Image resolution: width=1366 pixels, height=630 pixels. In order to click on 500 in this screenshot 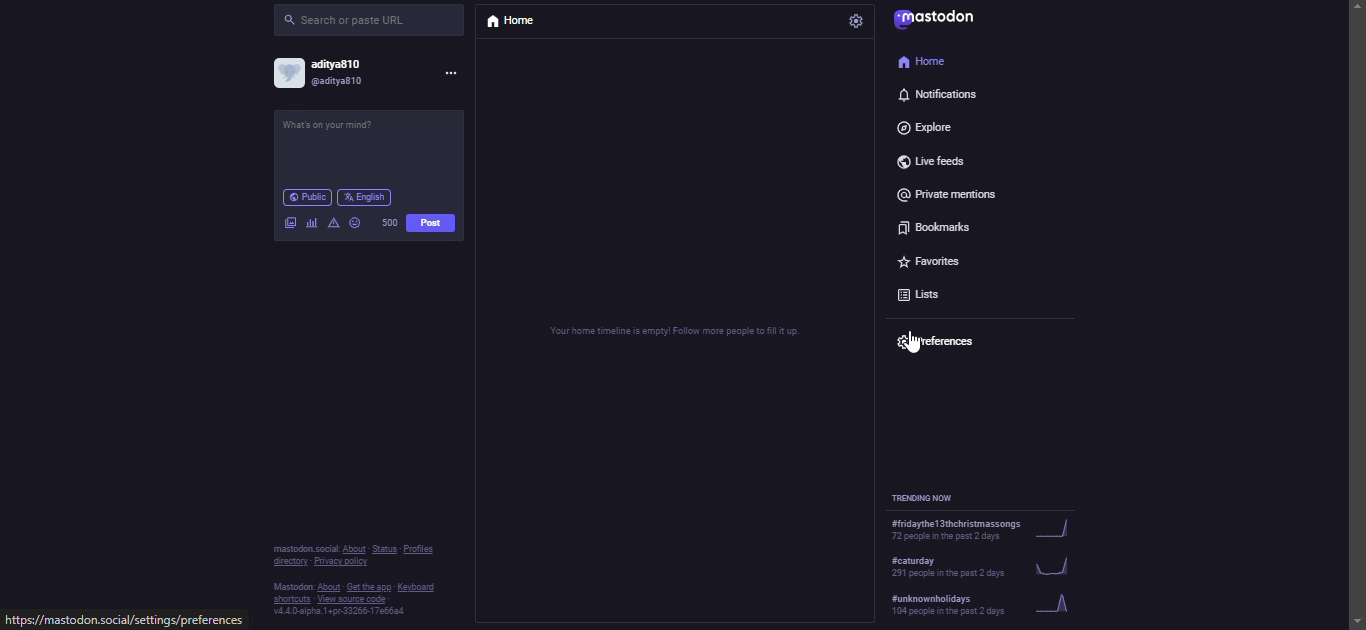, I will do `click(389, 222)`.